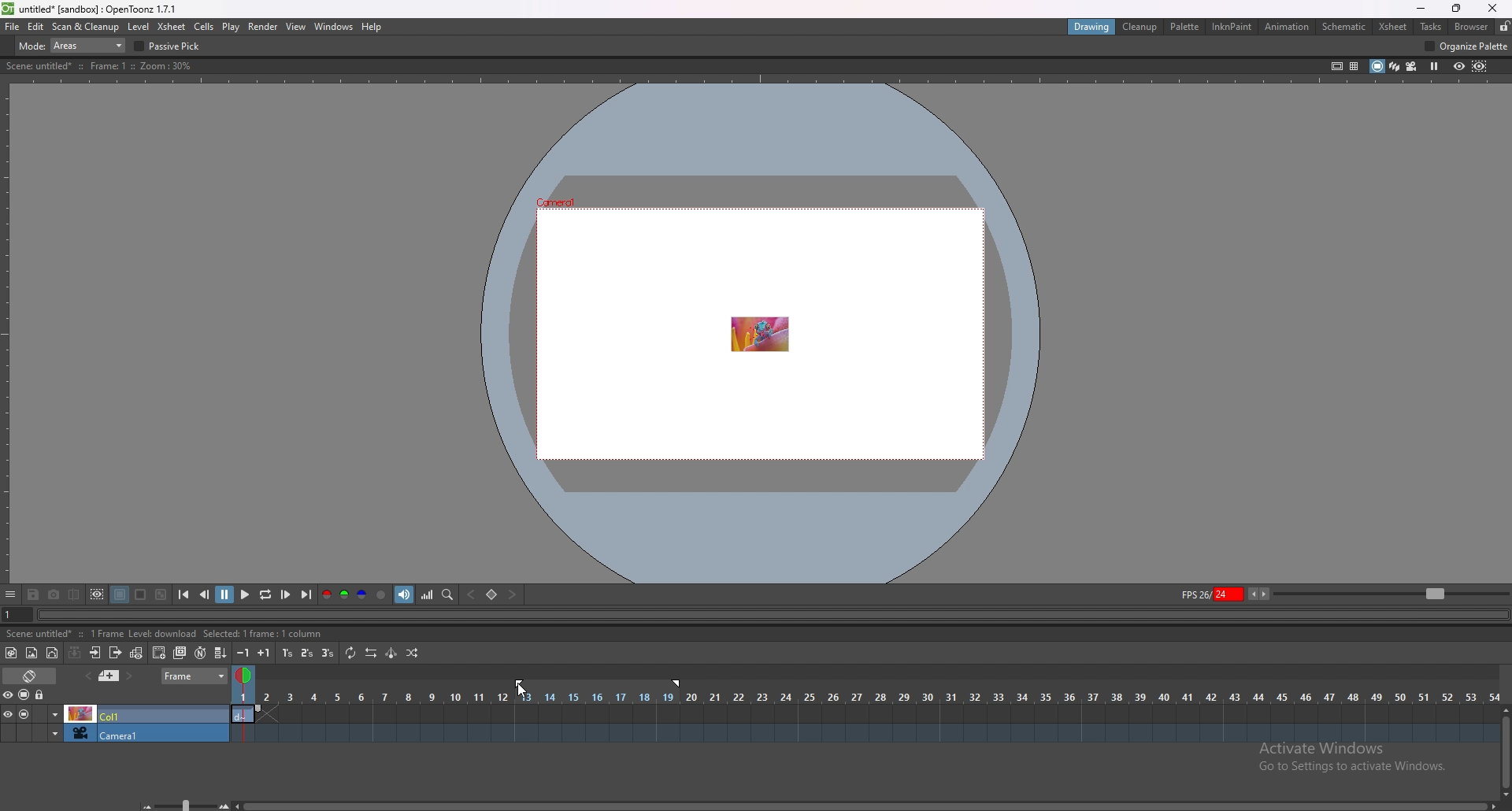 Image resolution: width=1512 pixels, height=811 pixels. I want to click on start frame, so click(521, 682).